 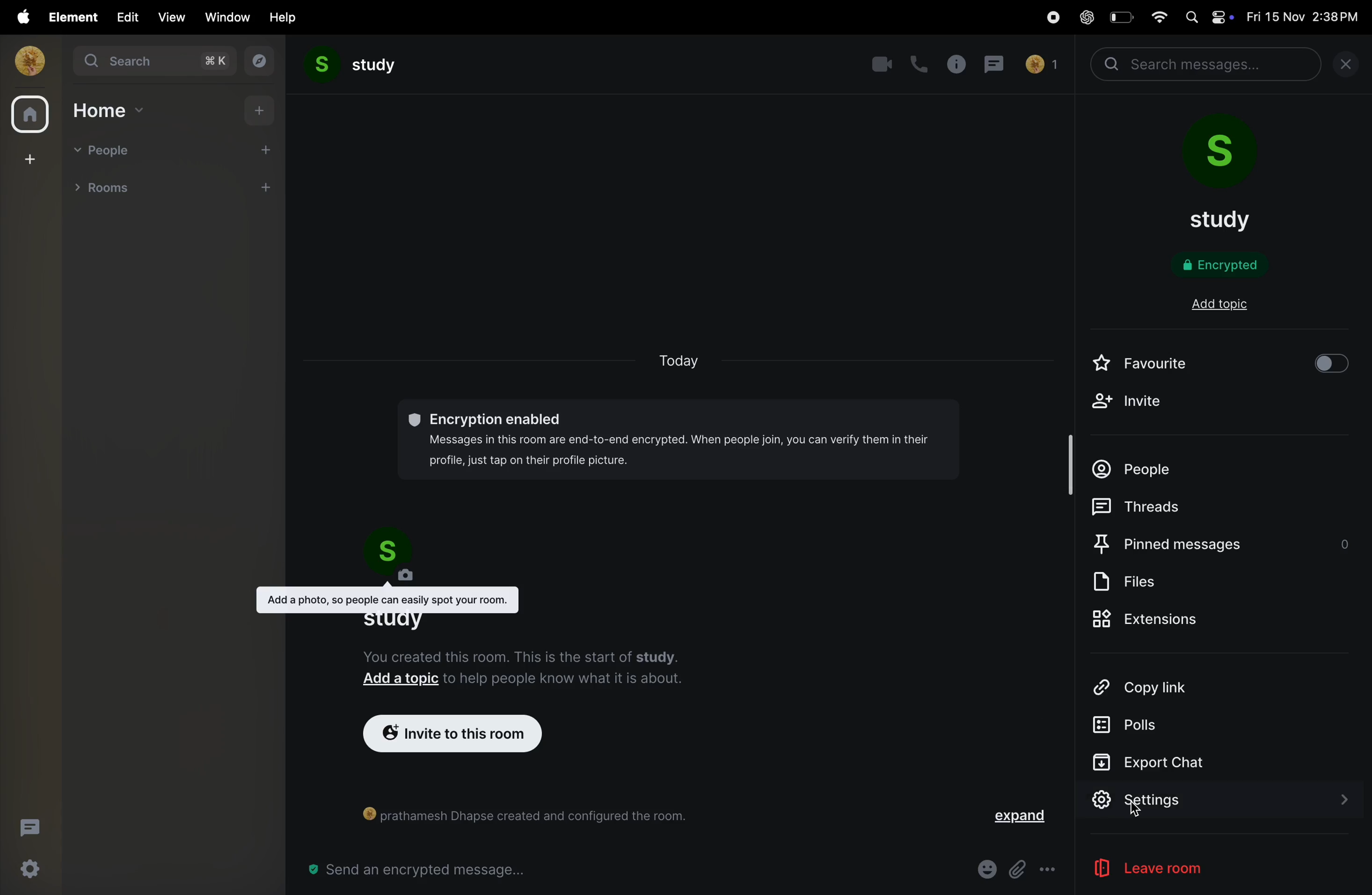 What do you see at coordinates (1141, 582) in the screenshot?
I see `files` at bounding box center [1141, 582].